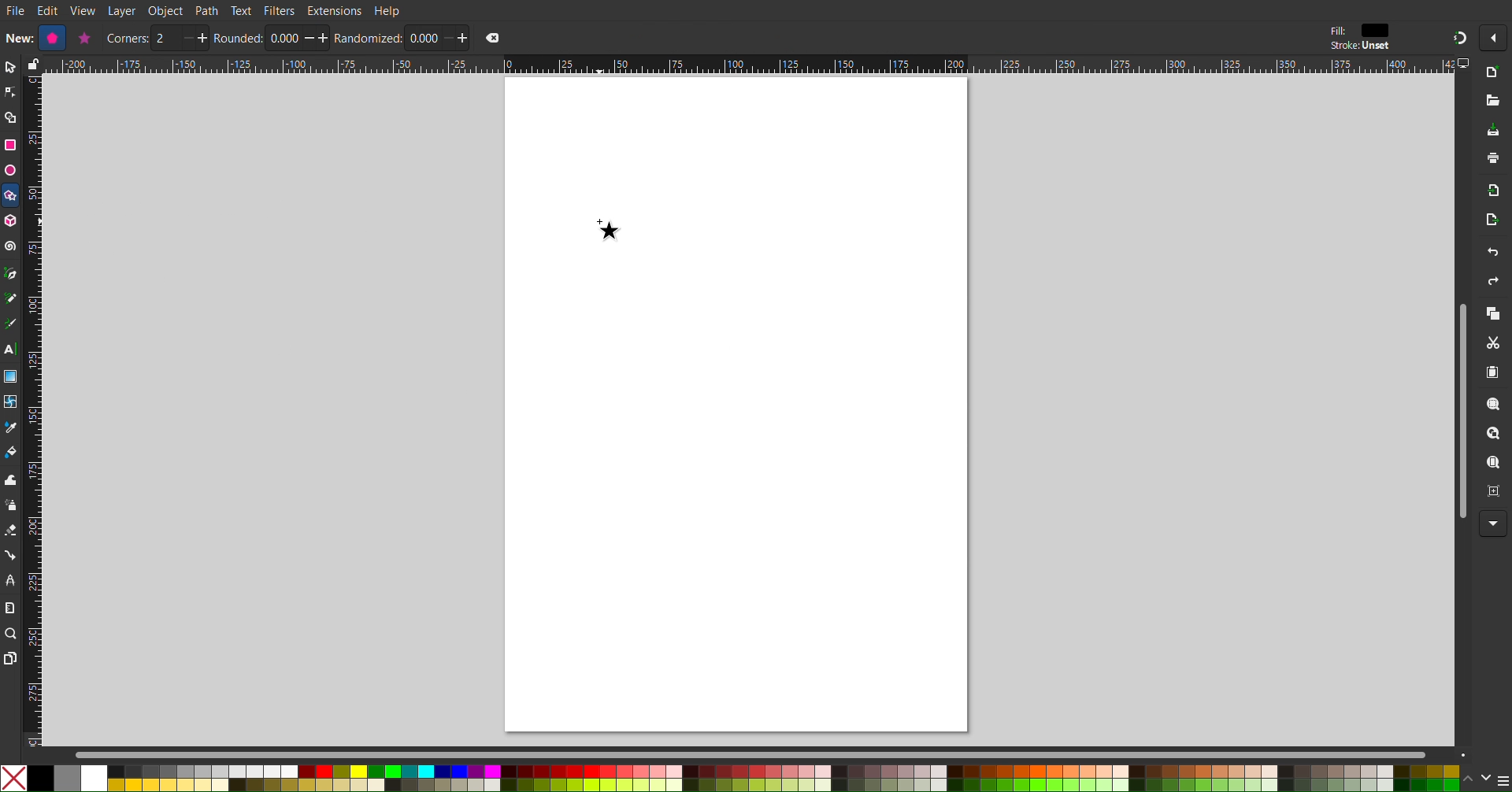 This screenshot has width=1512, height=792. Describe the element at coordinates (773, 754) in the screenshot. I see `Scrollbar` at that location.